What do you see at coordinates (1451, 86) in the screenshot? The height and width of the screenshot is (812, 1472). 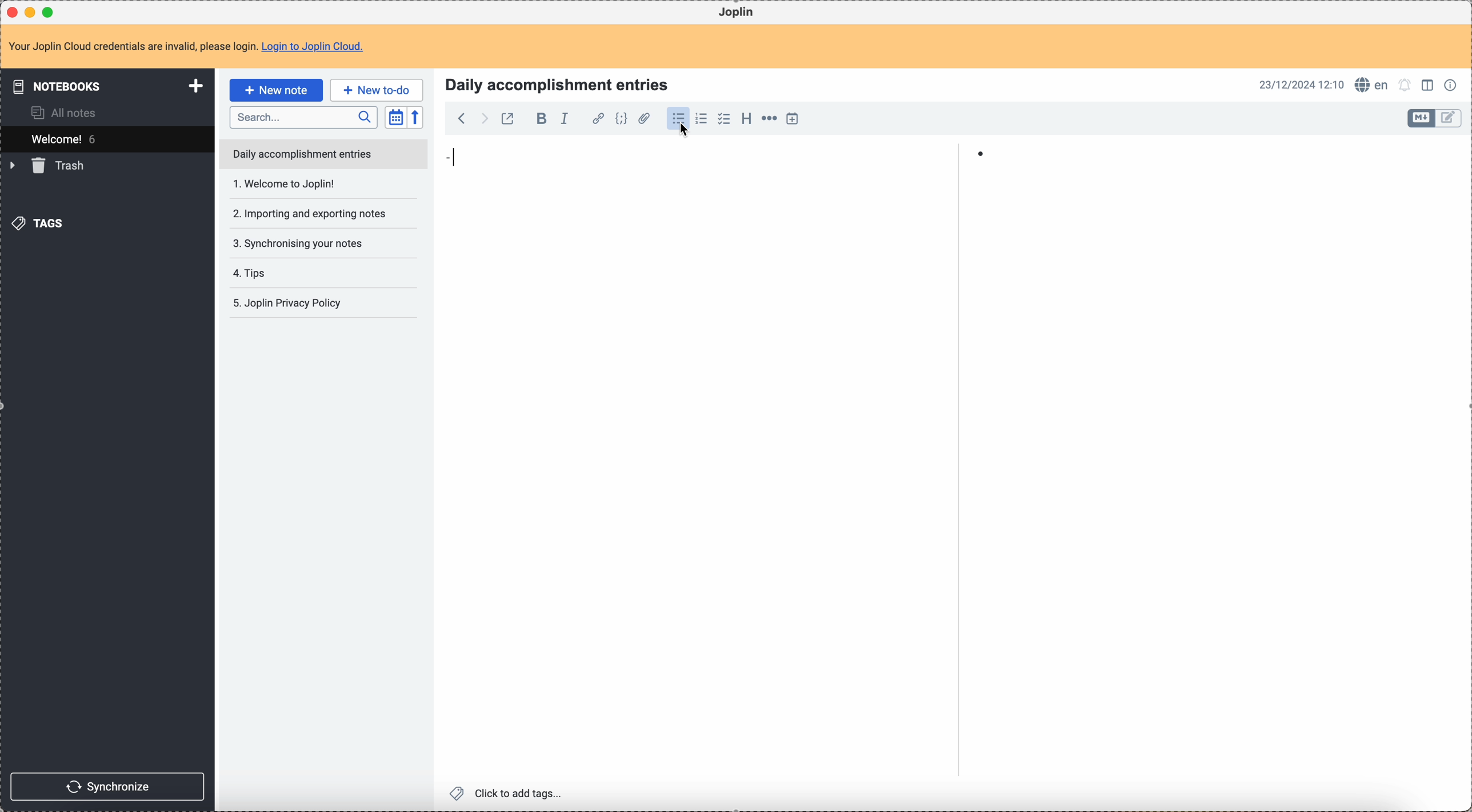 I see `note properties` at bounding box center [1451, 86].